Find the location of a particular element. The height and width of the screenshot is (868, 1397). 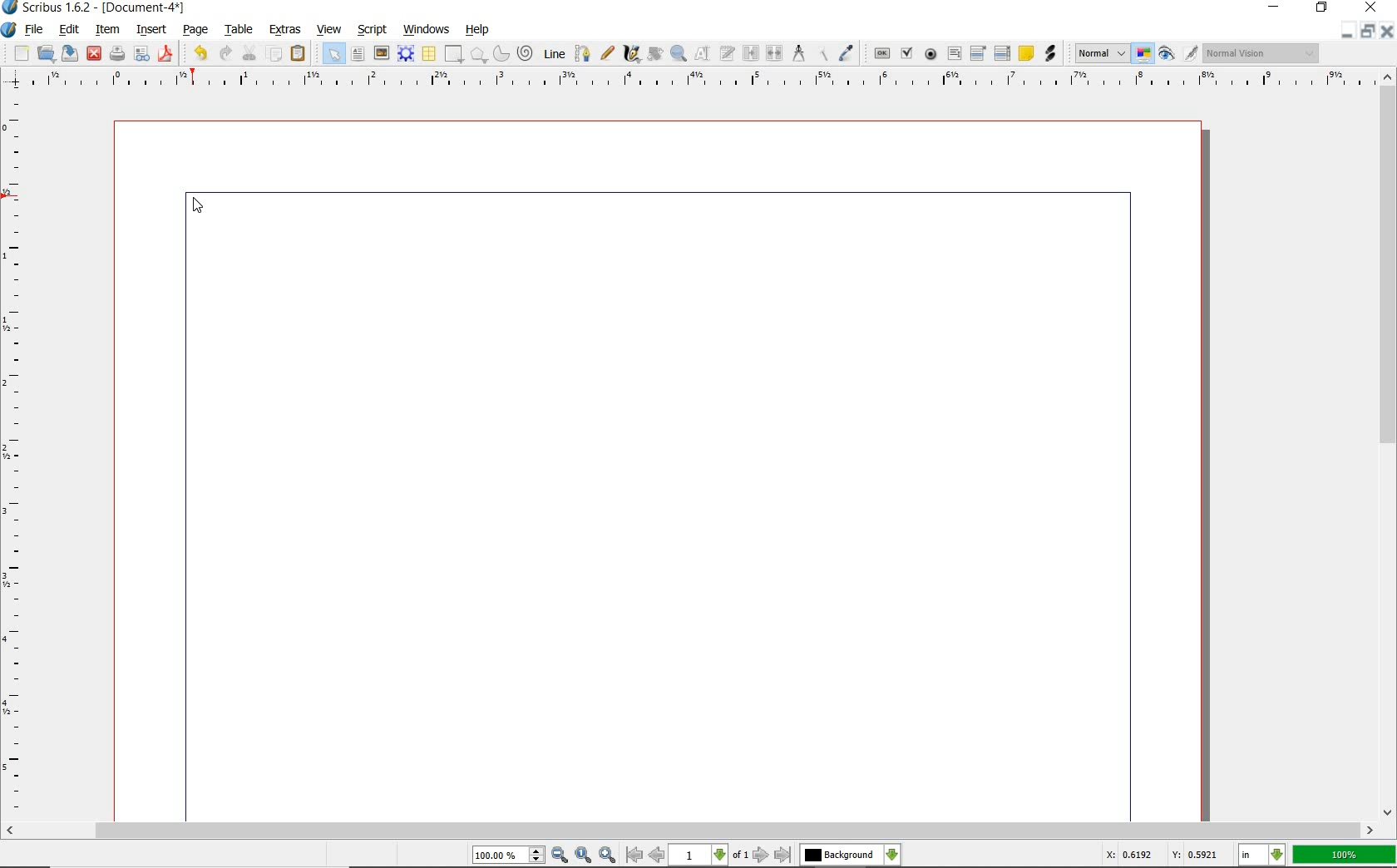

script is located at coordinates (374, 30).